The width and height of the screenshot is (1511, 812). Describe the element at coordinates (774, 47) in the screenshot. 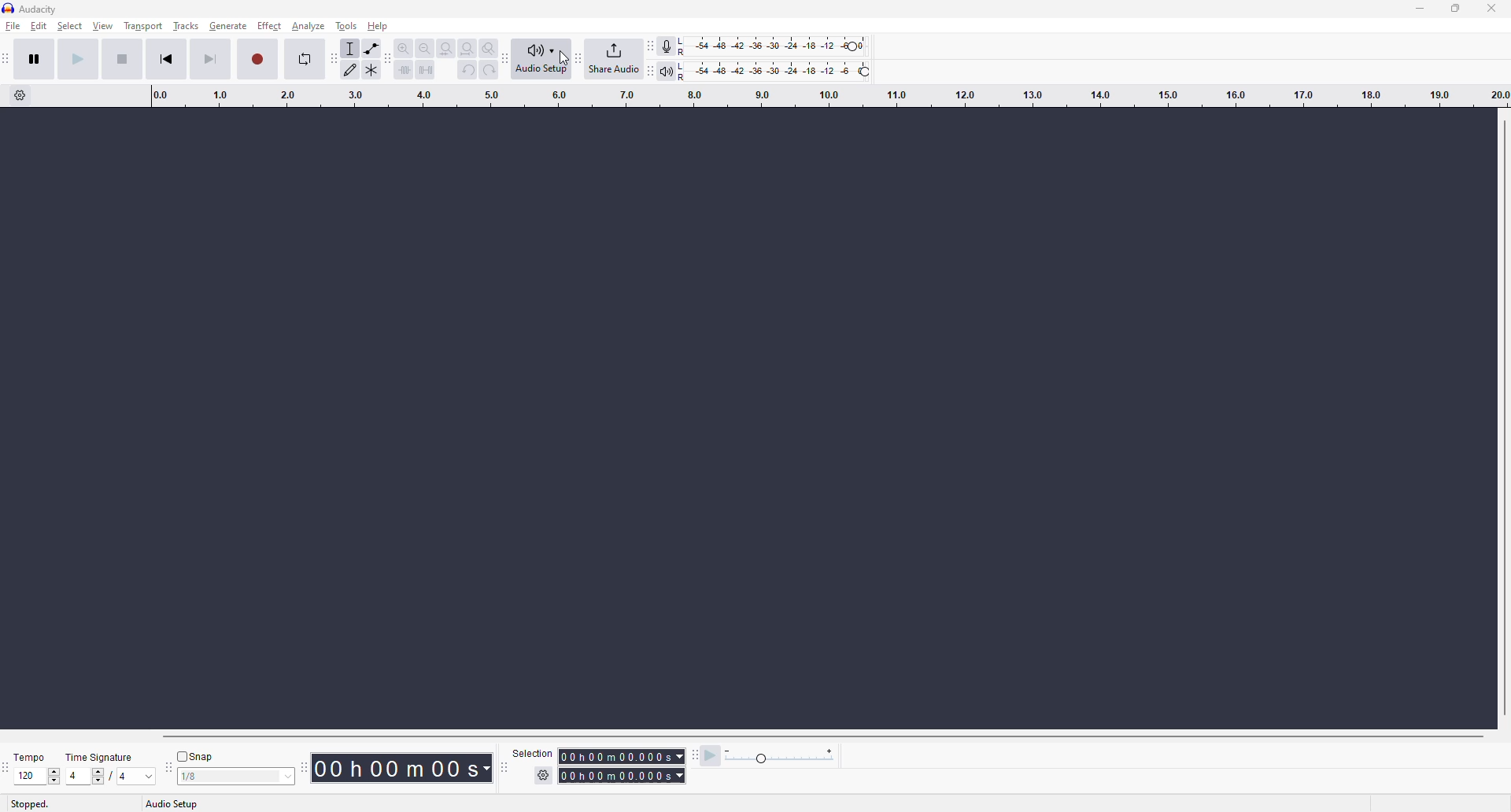

I see `recording level` at that location.